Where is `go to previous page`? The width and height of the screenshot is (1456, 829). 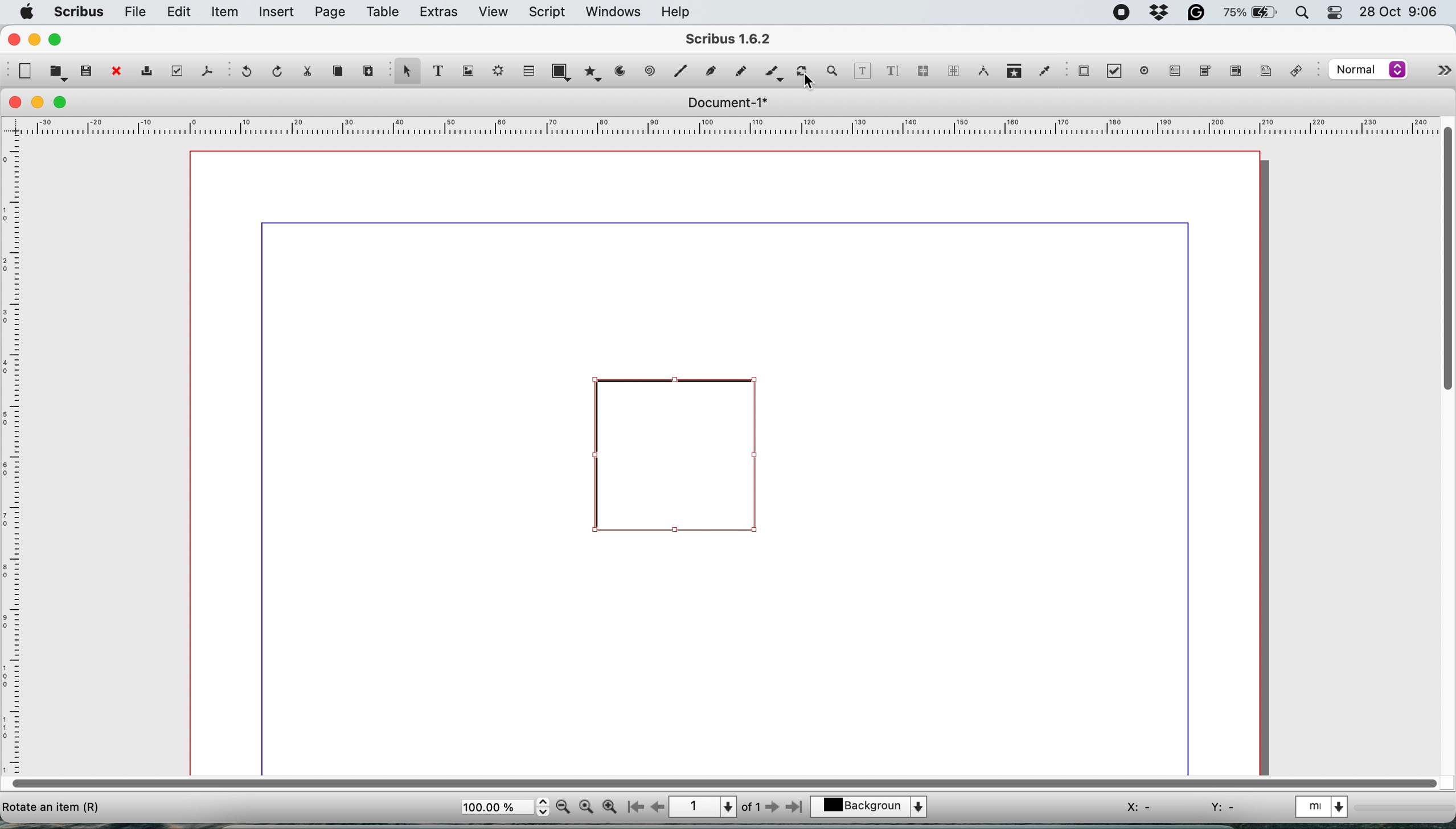 go to previous page is located at coordinates (658, 806).